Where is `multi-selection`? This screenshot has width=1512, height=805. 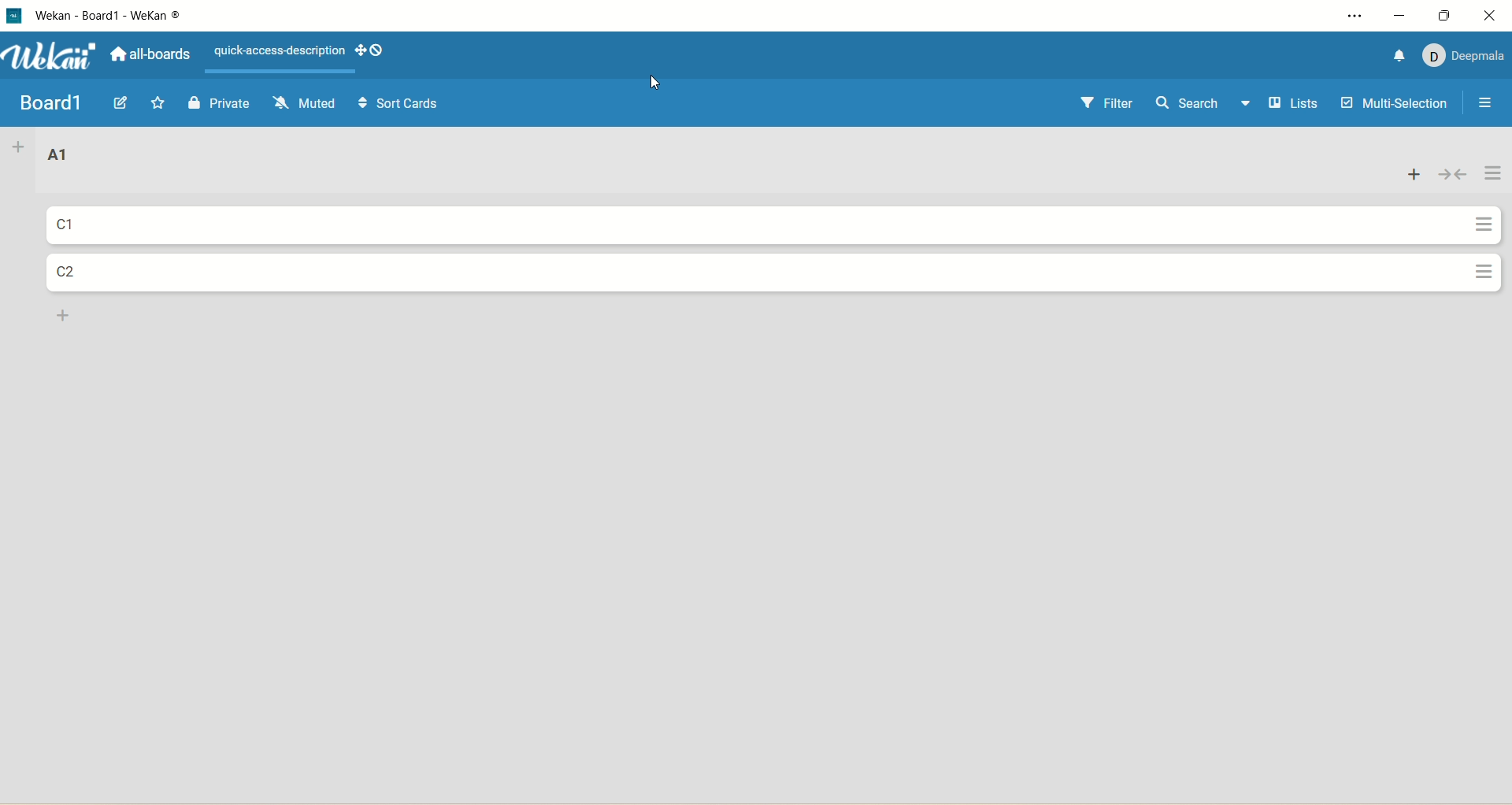
multi-selection is located at coordinates (1393, 102).